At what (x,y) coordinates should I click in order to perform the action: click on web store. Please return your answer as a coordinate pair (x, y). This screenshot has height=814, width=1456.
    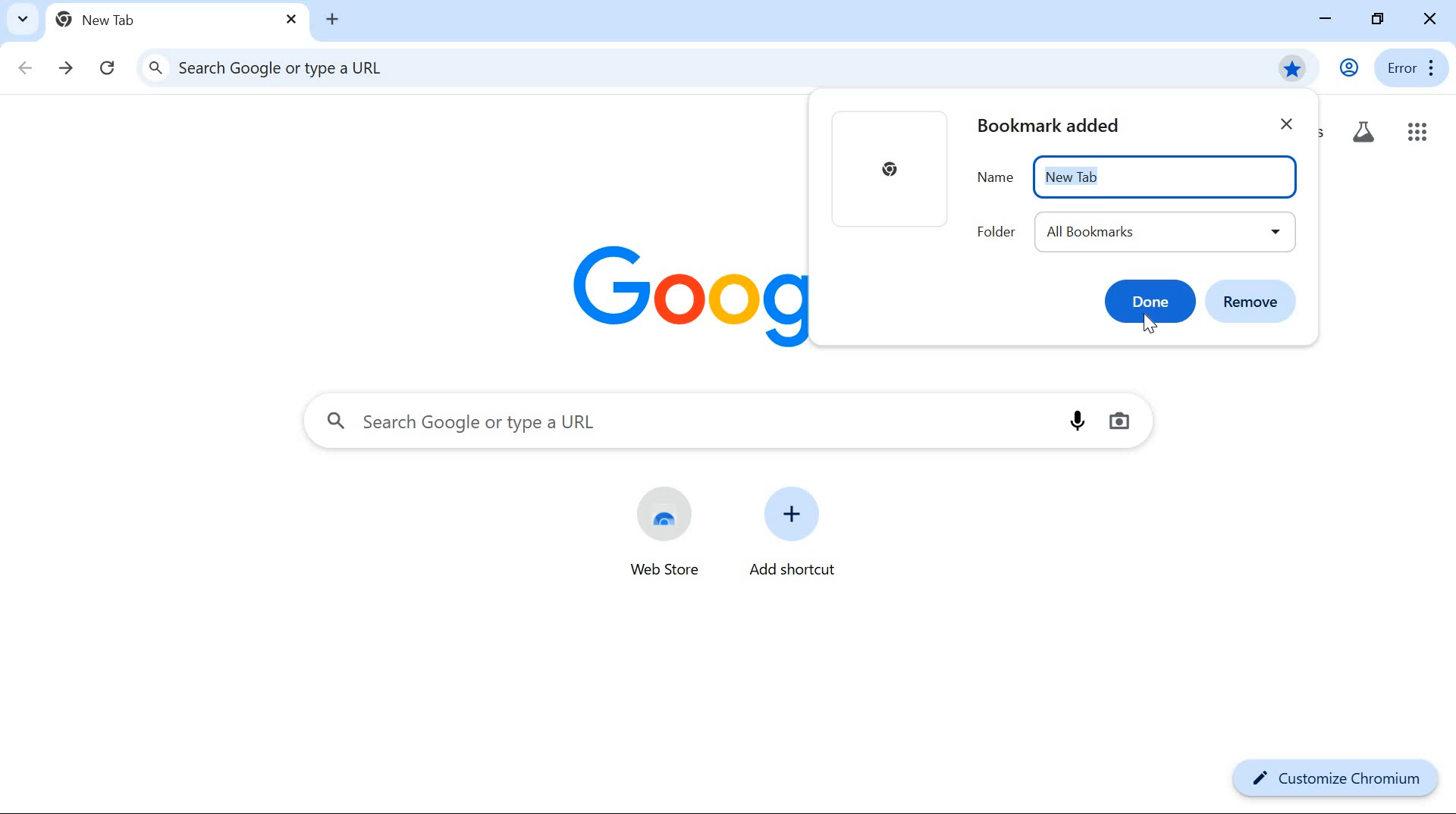
    Looking at the image, I should click on (666, 536).